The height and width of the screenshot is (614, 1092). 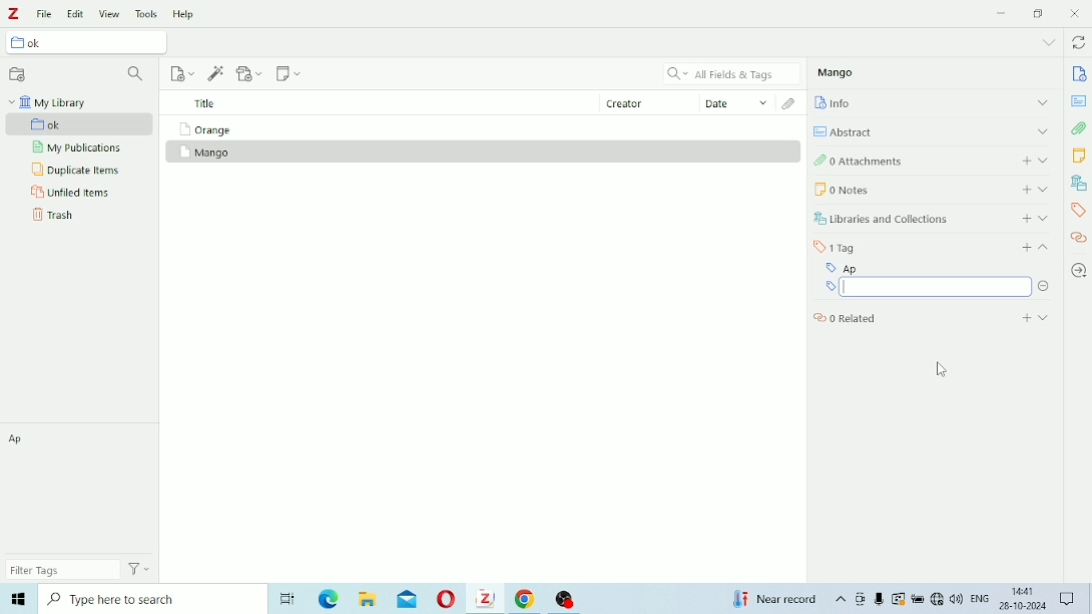 I want to click on Windows, so click(x=18, y=597).